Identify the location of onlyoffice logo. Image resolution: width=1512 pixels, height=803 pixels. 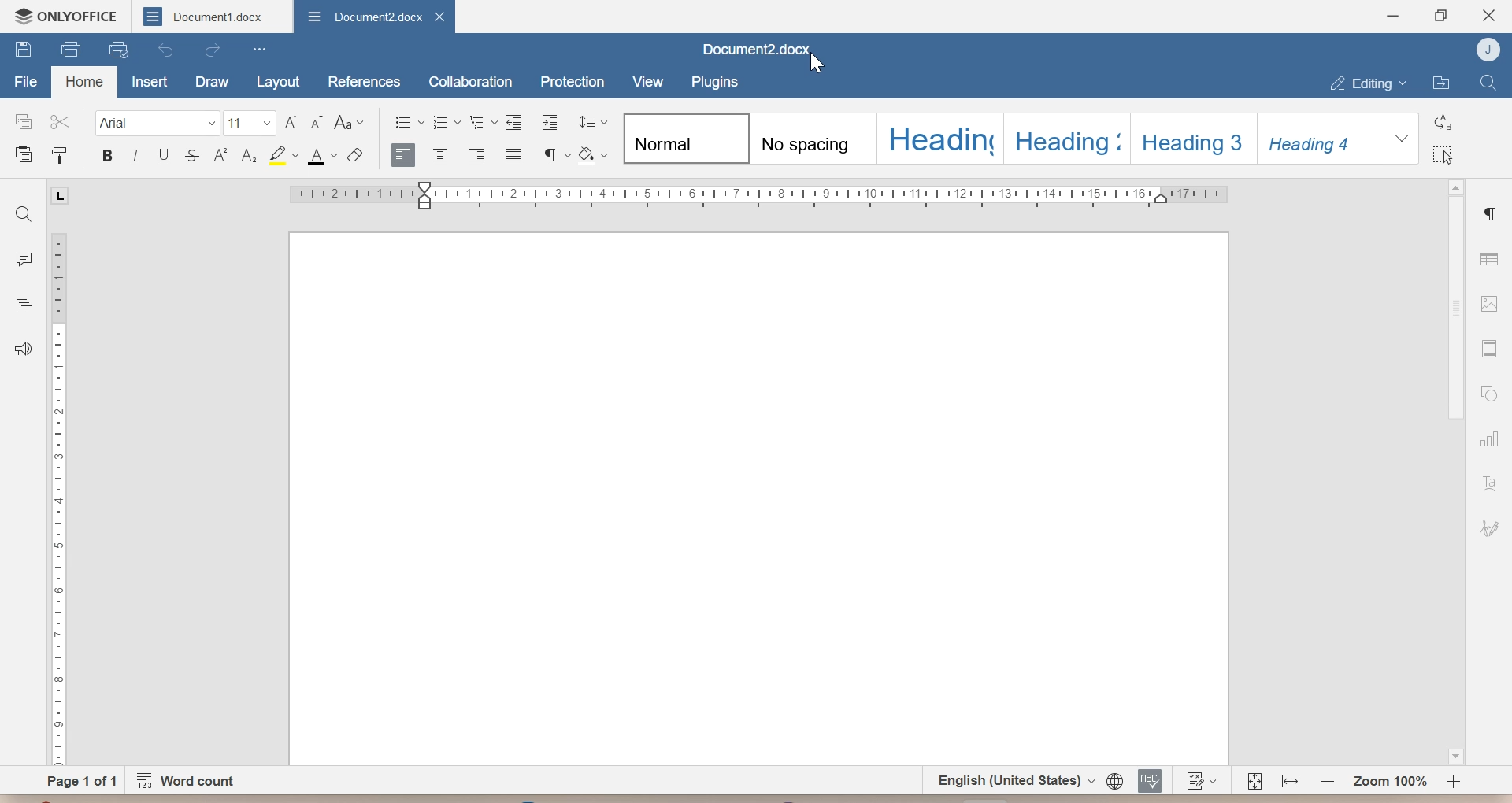
(21, 15).